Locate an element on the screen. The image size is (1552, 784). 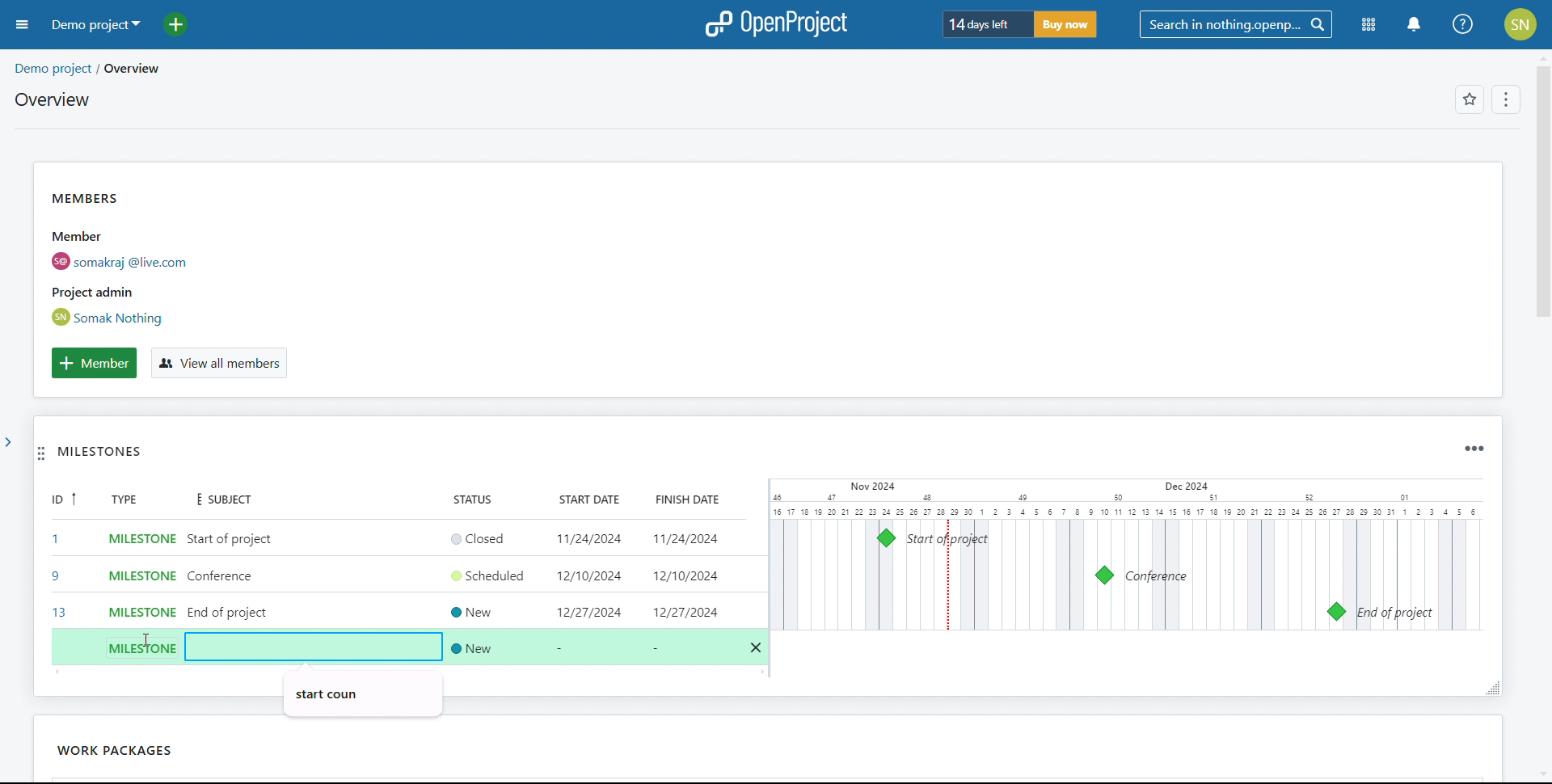
id is located at coordinates (58, 558).